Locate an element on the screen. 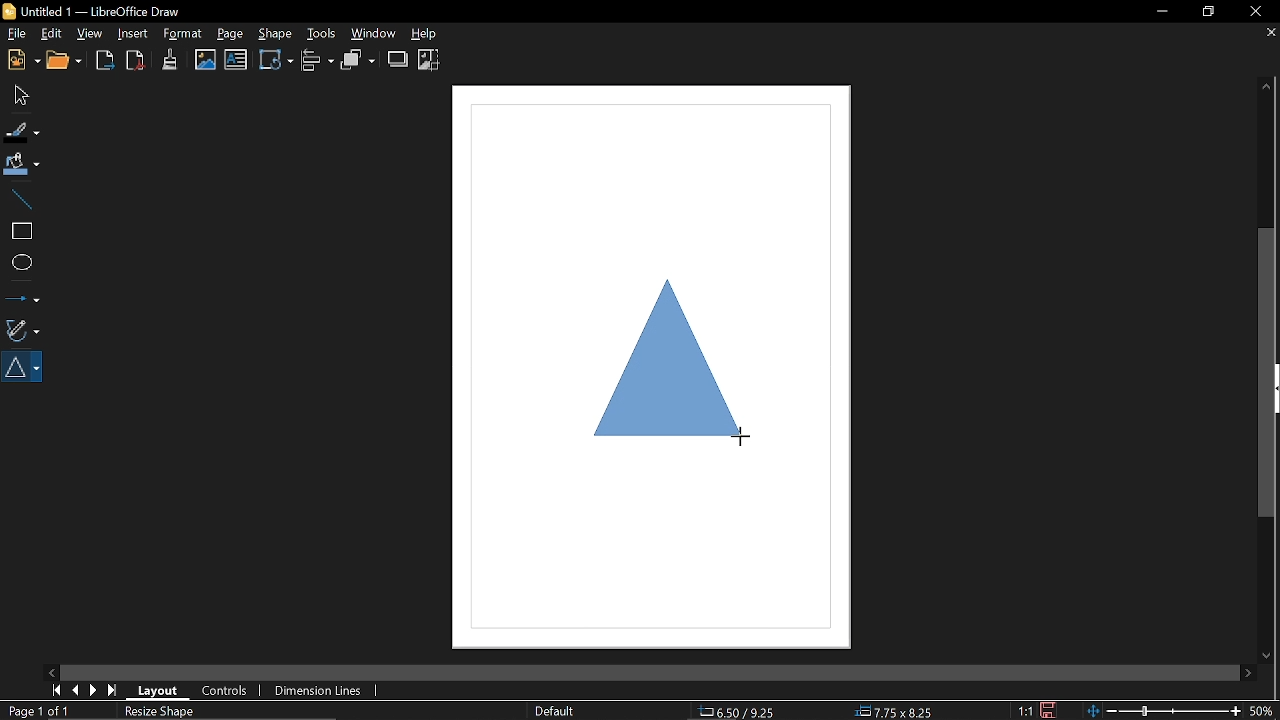  Move down is located at coordinates (1264, 655).